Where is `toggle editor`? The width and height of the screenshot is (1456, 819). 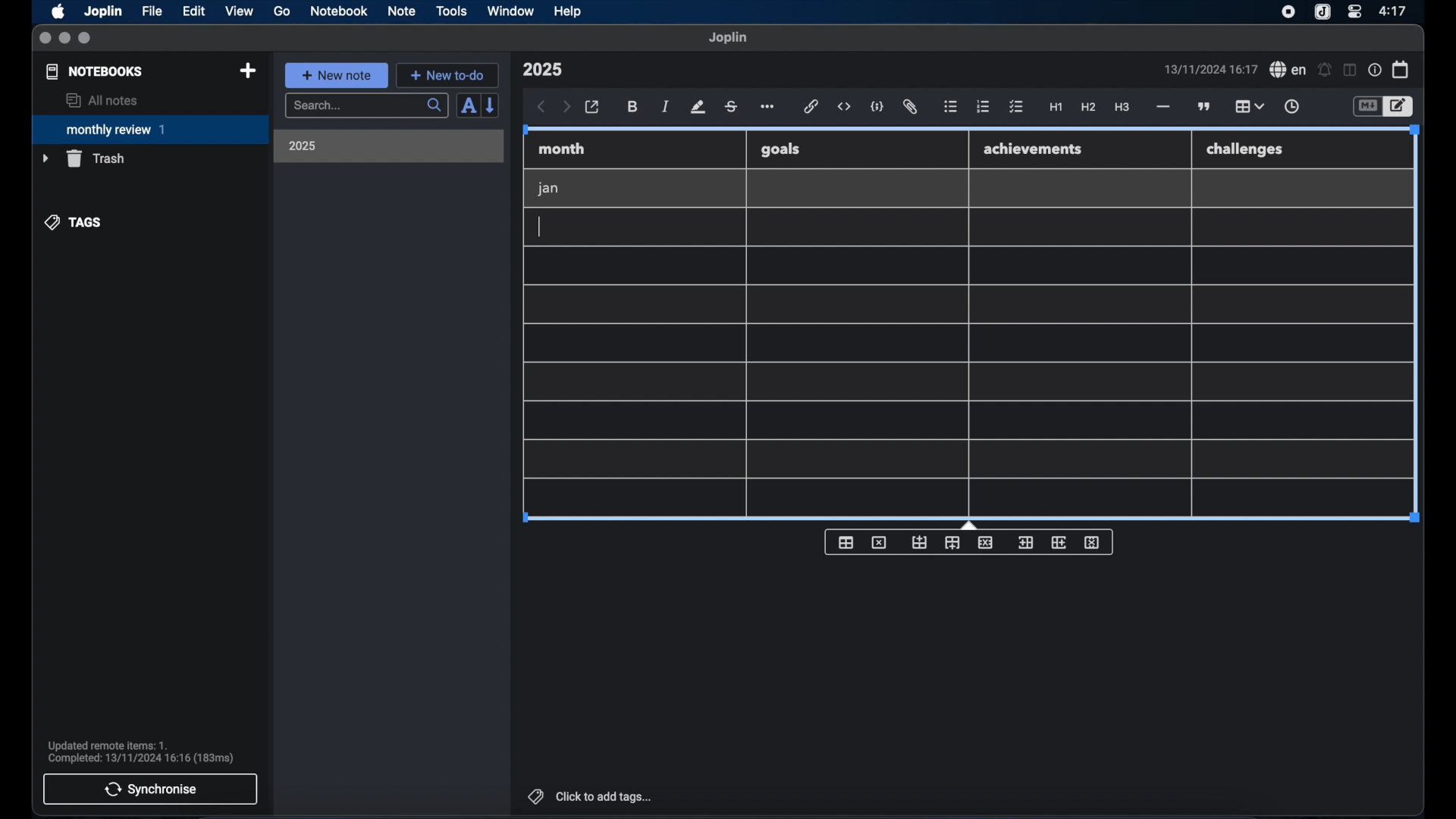
toggle editor is located at coordinates (1367, 107).